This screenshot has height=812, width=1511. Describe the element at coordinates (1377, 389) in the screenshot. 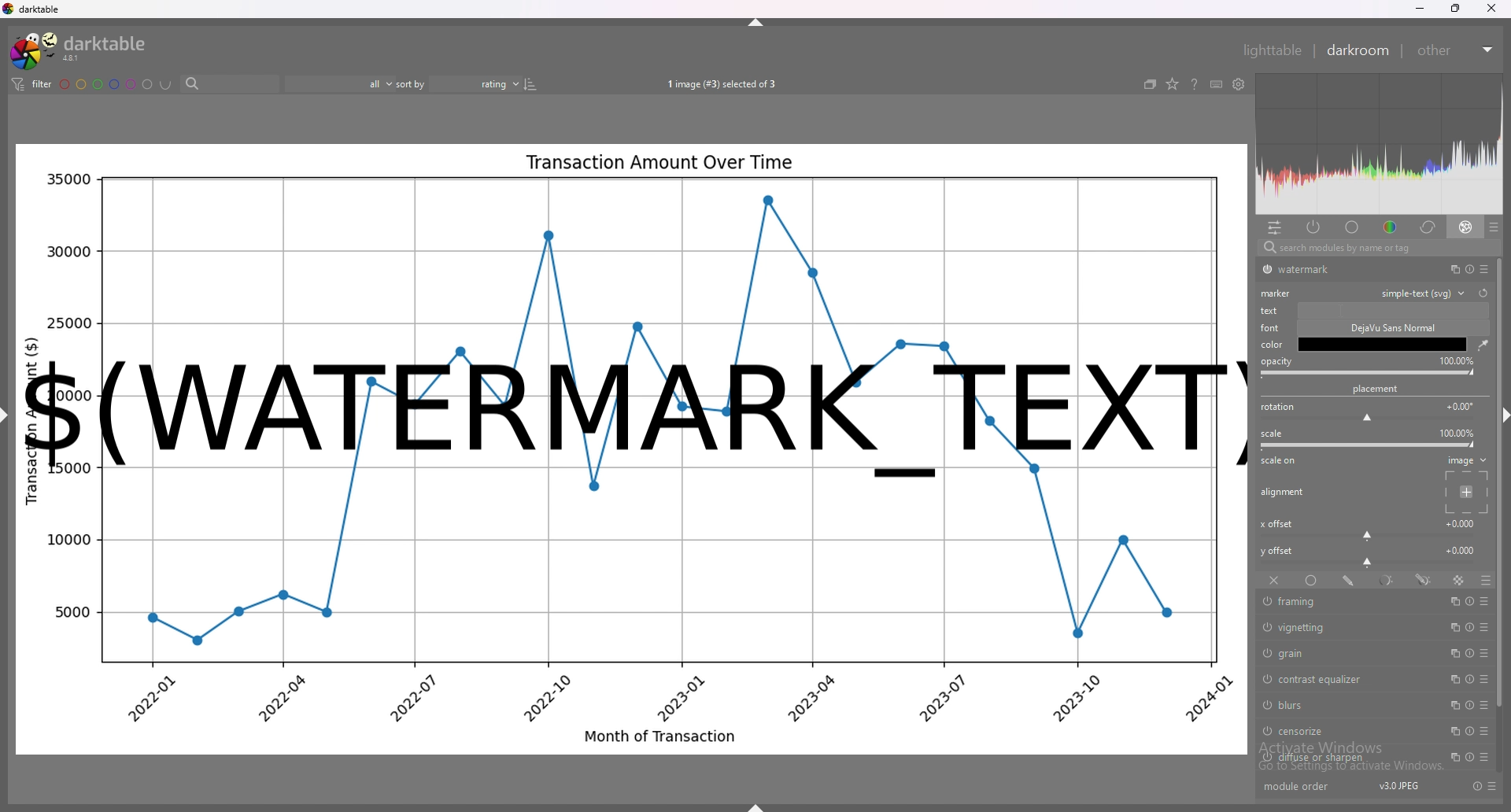

I see `placement` at that location.